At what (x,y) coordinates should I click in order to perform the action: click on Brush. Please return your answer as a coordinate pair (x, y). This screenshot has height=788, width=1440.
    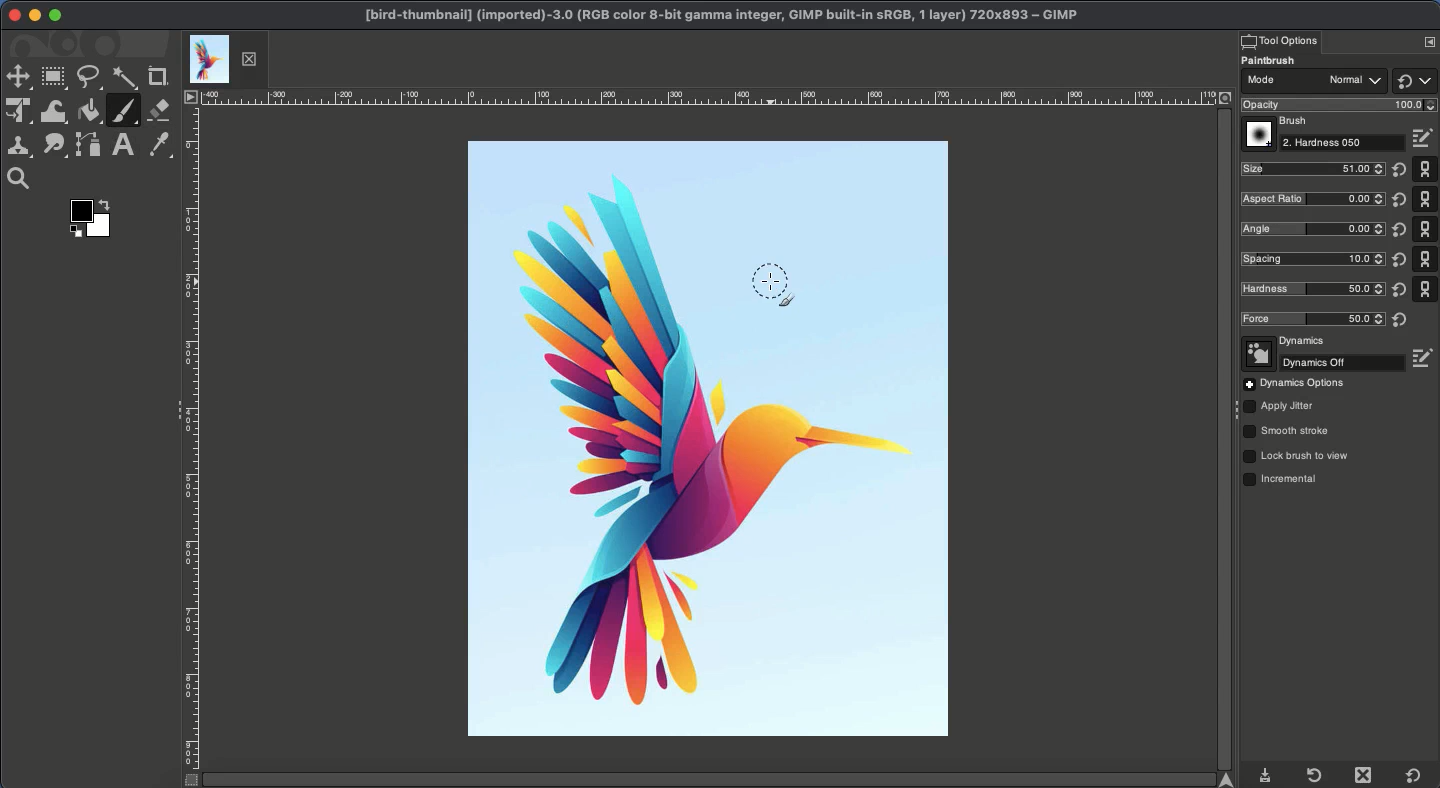
    Looking at the image, I should click on (1278, 122).